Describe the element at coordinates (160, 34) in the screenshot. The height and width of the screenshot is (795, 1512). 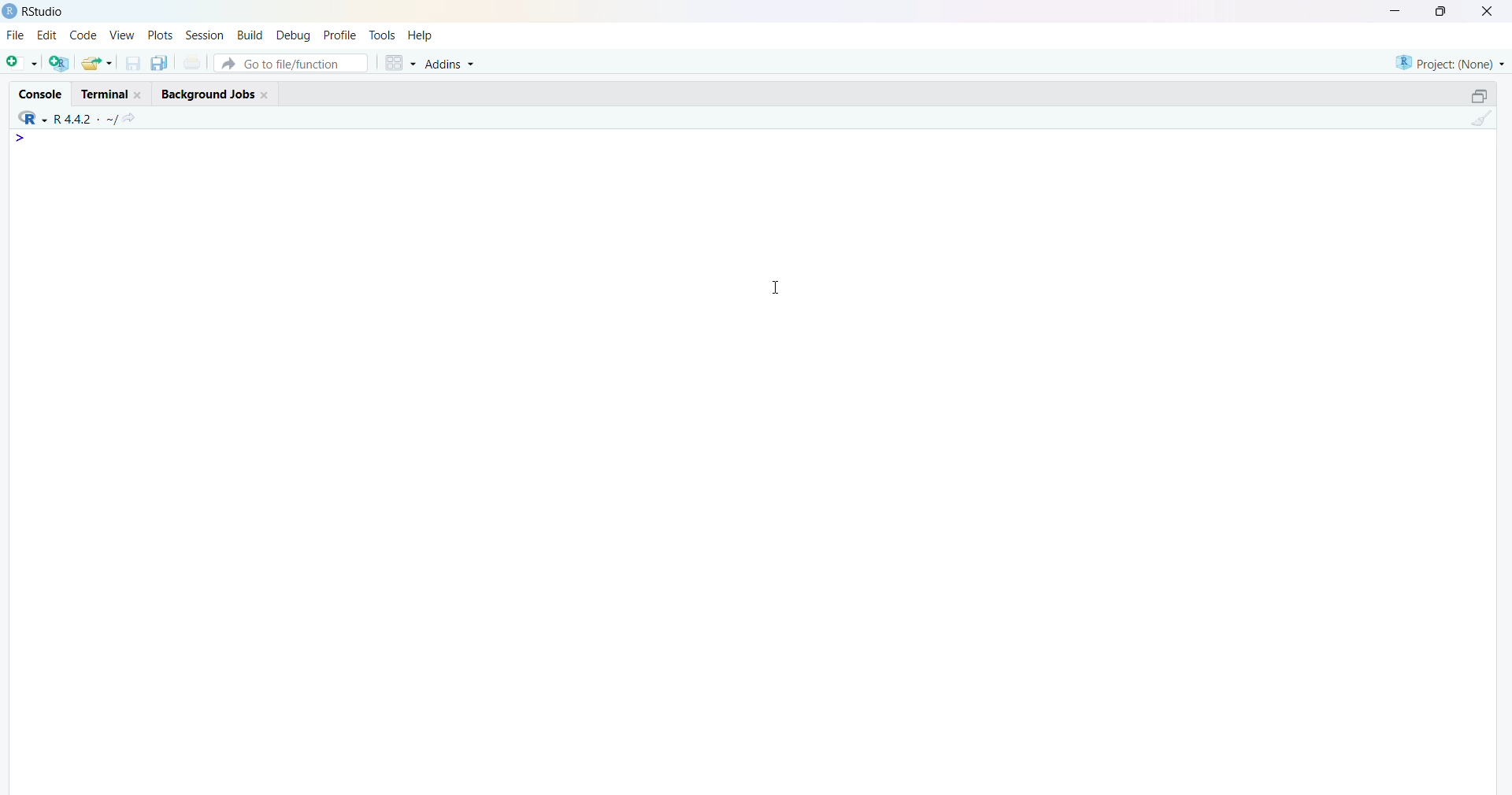
I see `plots` at that location.